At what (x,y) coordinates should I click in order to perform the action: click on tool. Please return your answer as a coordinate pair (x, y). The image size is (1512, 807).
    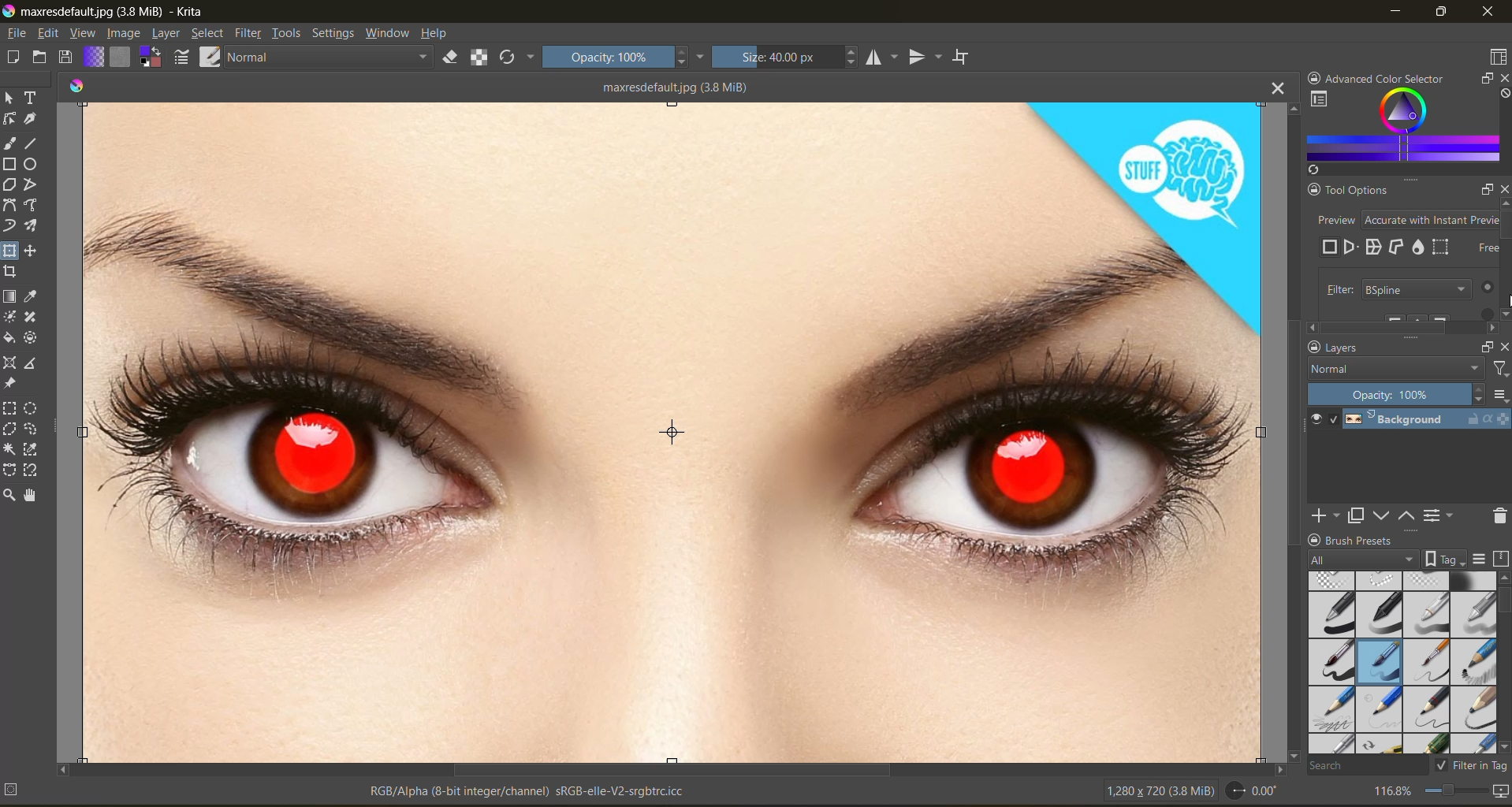
    Looking at the image, I should click on (33, 407).